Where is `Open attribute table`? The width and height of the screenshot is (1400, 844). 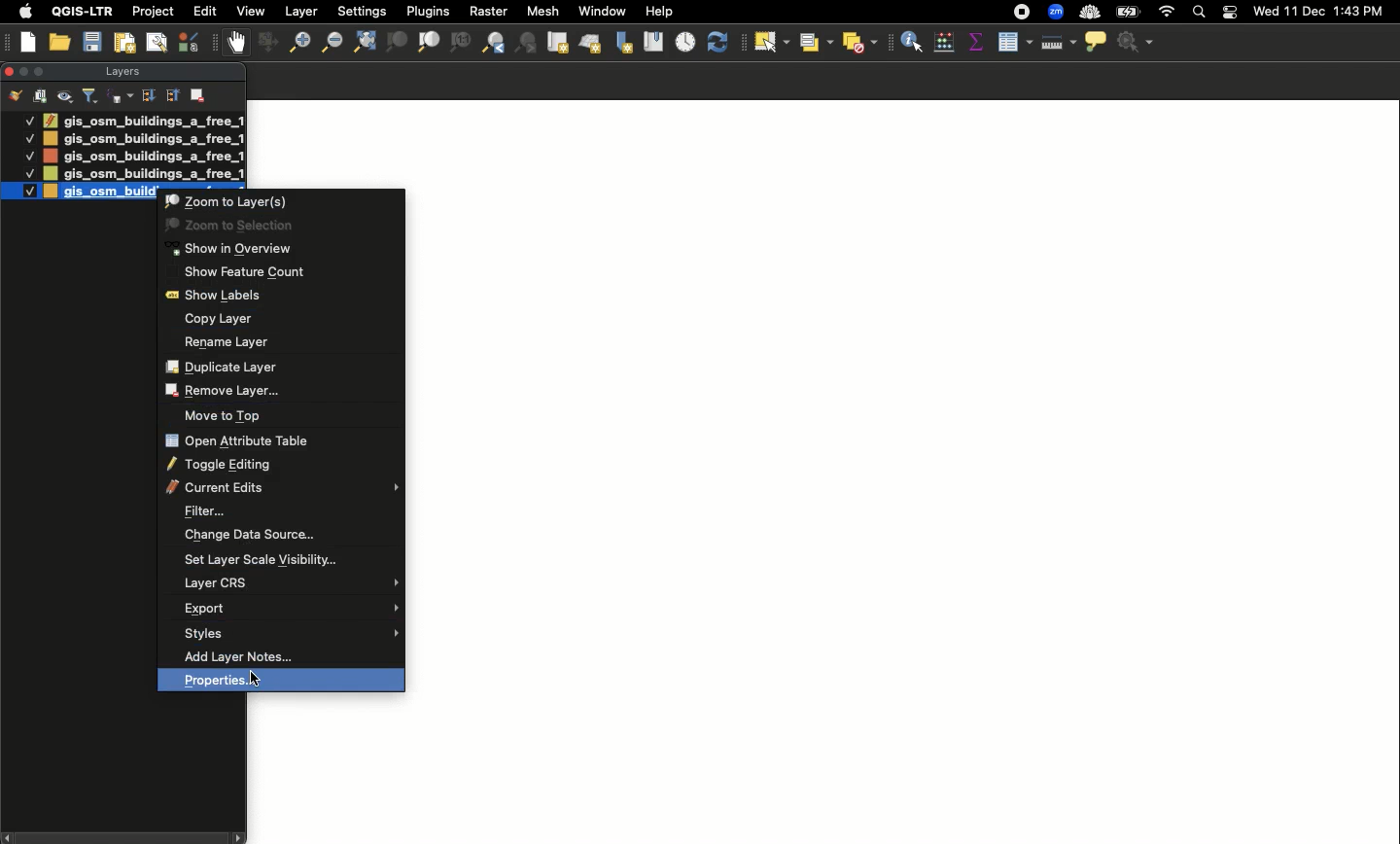
Open attribute table is located at coordinates (280, 440).